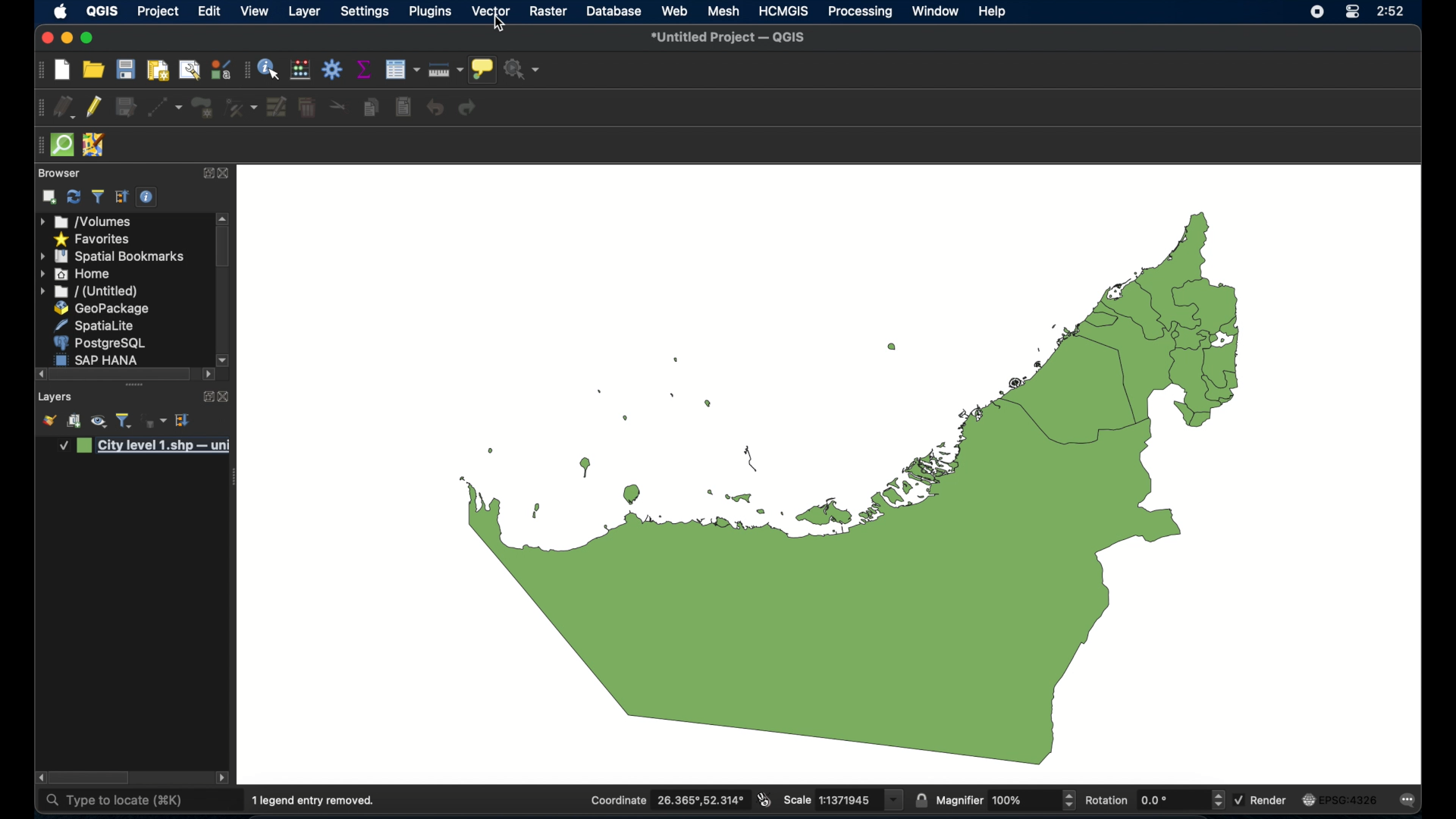 The image size is (1456, 819). Describe the element at coordinates (764, 799) in the screenshot. I see `toggle extents and mouse display position` at that location.